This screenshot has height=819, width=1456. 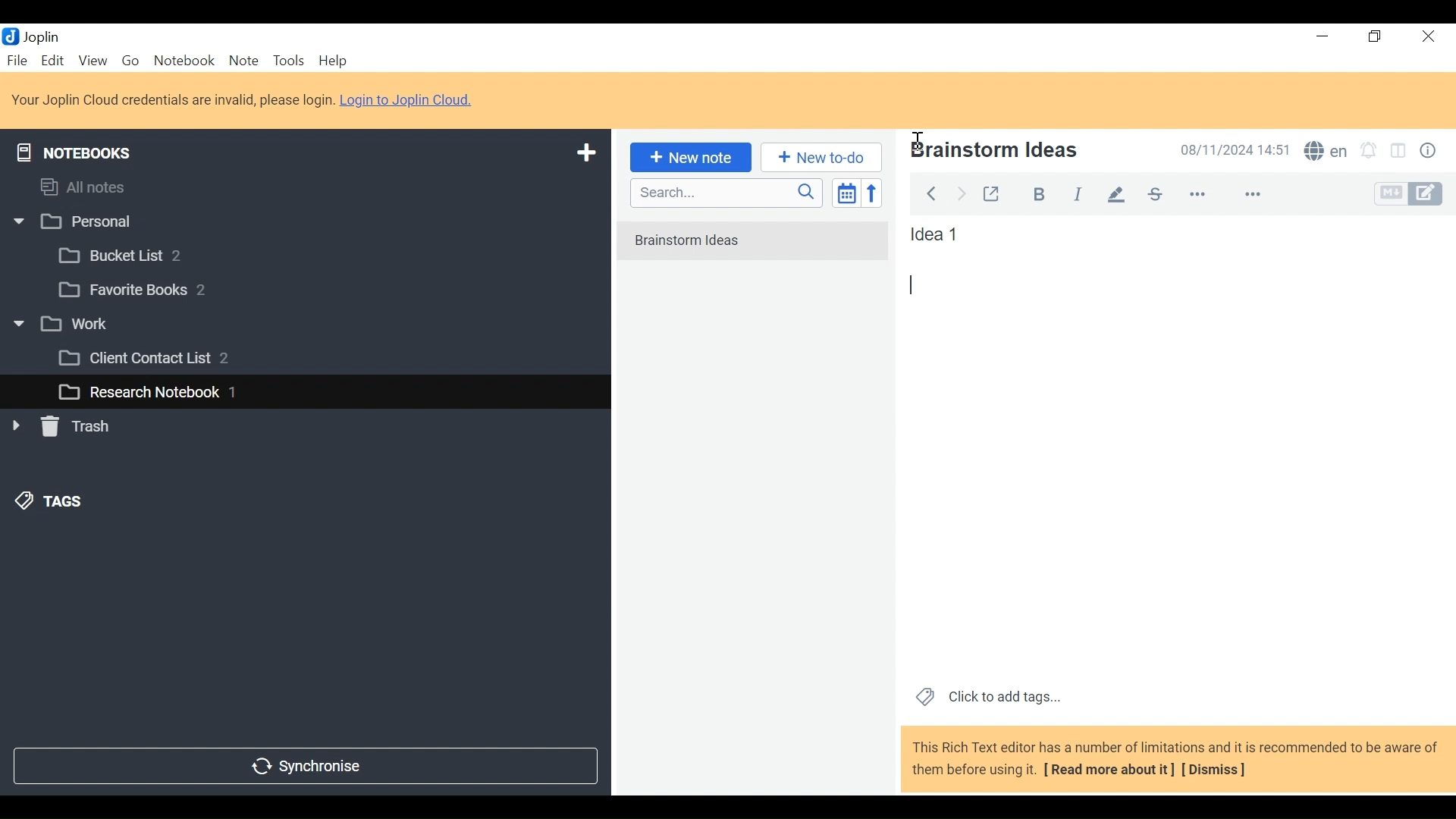 I want to click on Help, so click(x=335, y=61).